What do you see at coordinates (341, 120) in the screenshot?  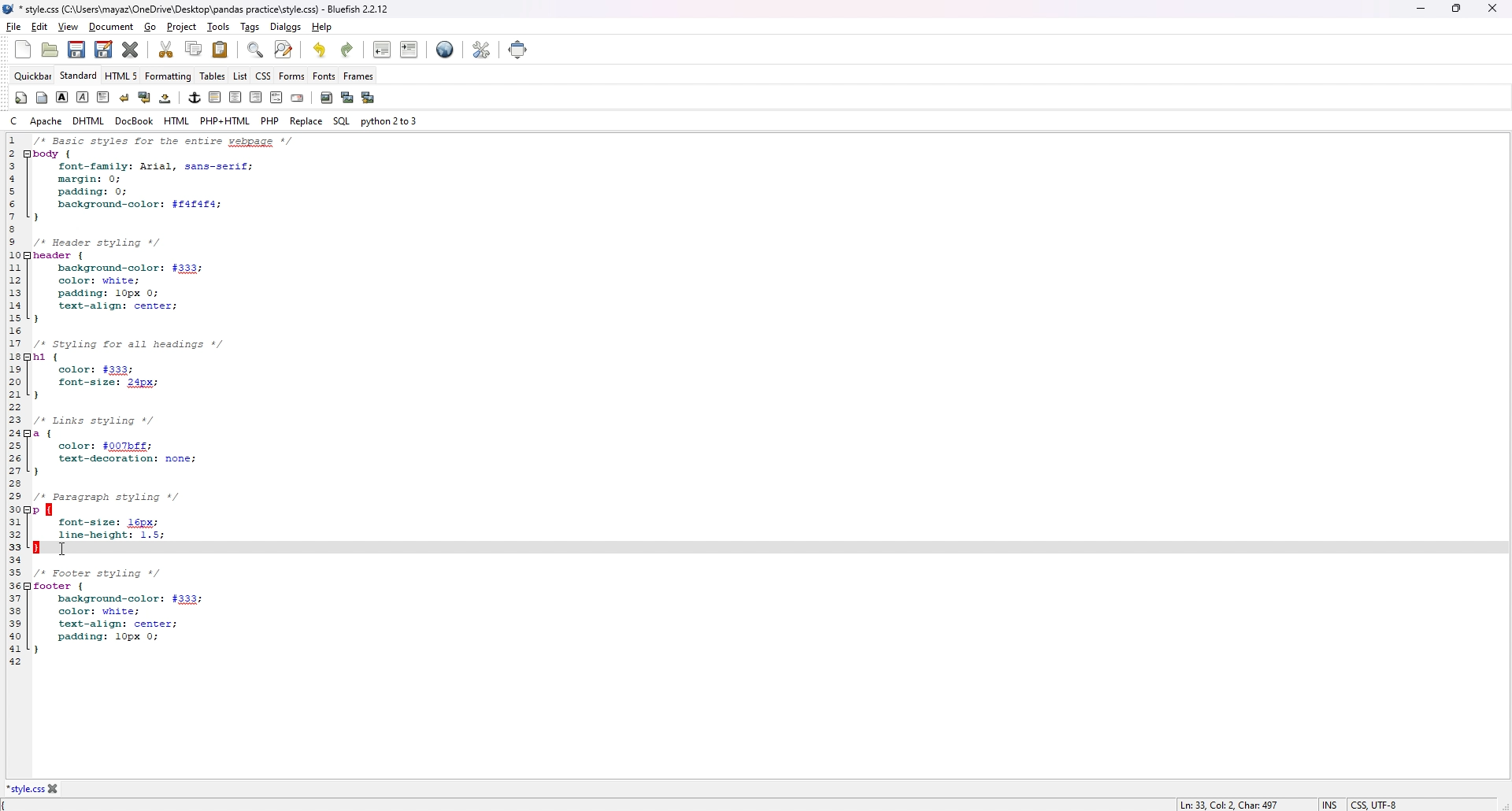 I see `sql` at bounding box center [341, 120].